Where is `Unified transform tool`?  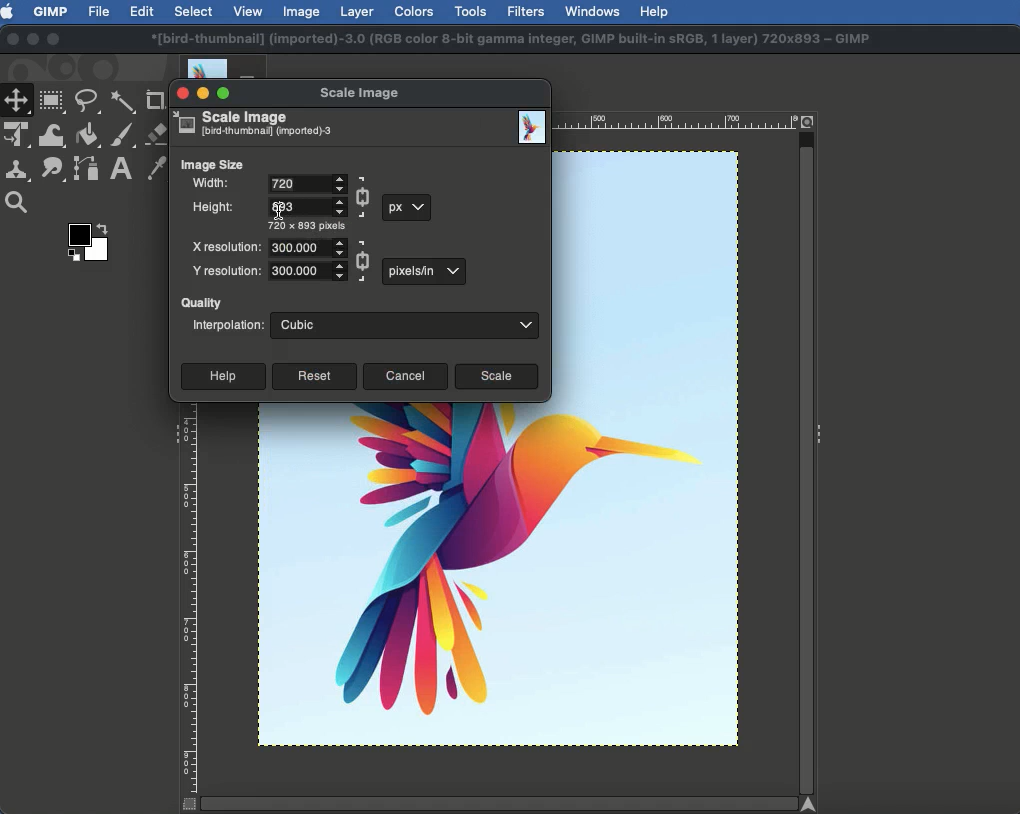
Unified transform tool is located at coordinates (17, 133).